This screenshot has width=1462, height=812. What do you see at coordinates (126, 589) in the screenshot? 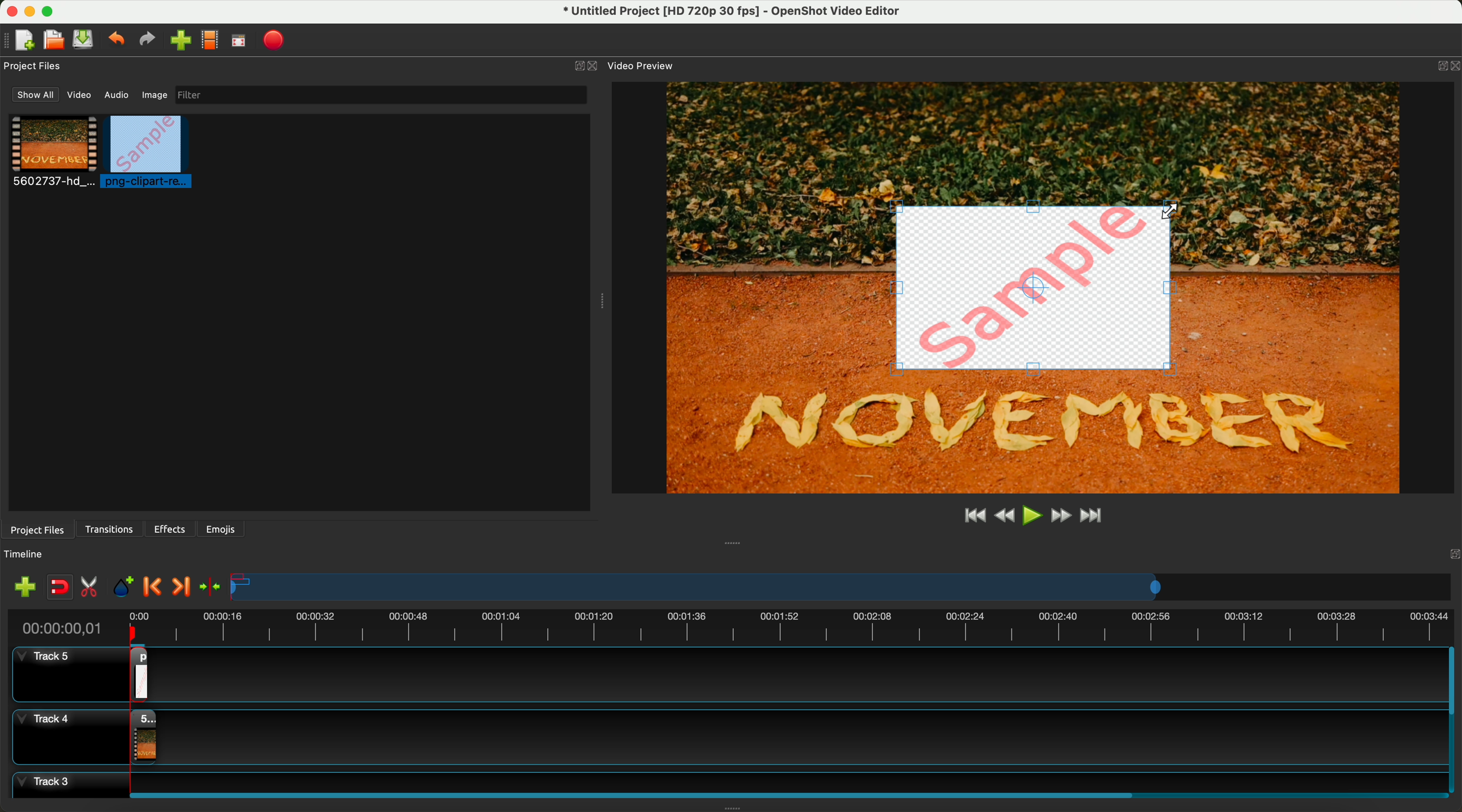
I see `add mark` at bounding box center [126, 589].